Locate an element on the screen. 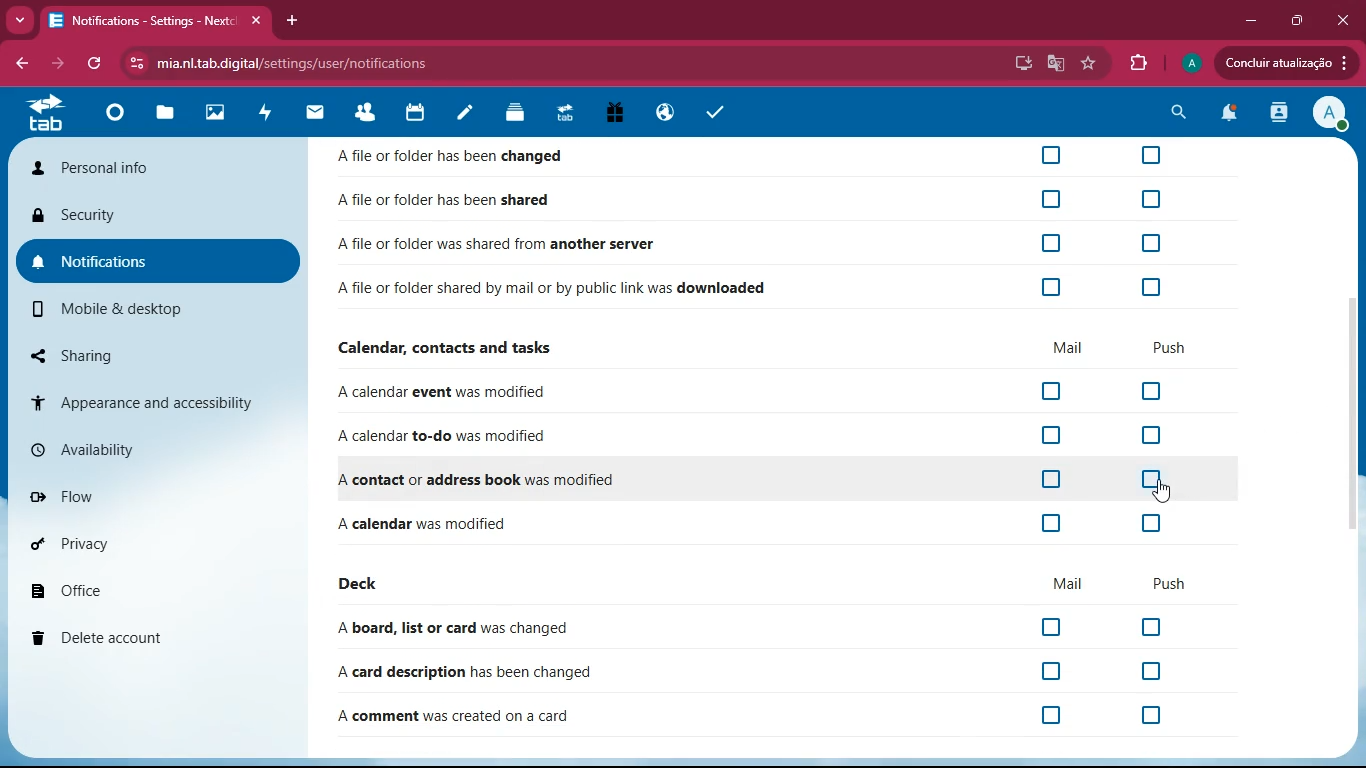 The image size is (1366, 768). delete account is located at coordinates (143, 638).